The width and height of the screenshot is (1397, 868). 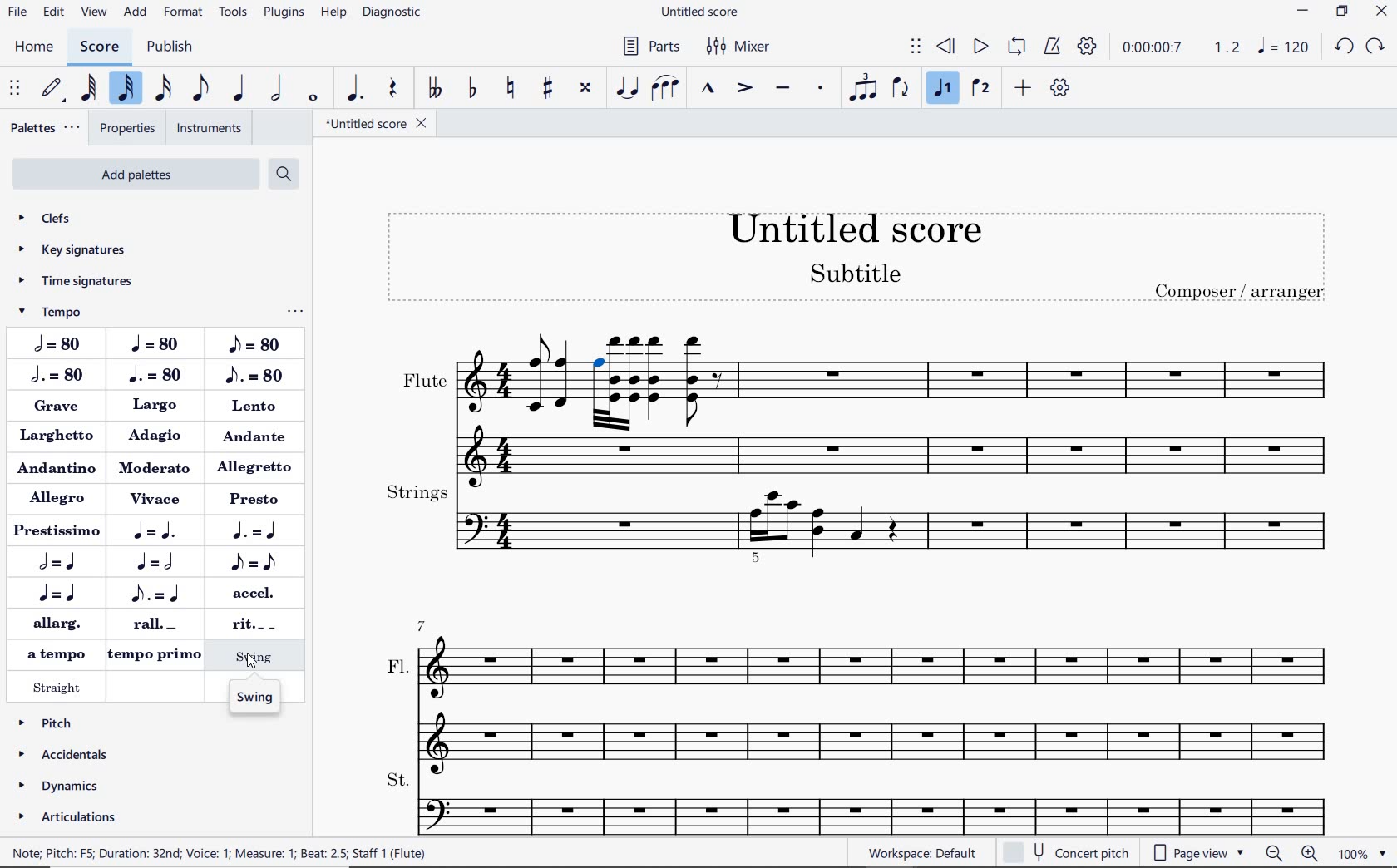 I want to click on METRIC MODULATION: QUARTER NOTE: DOTTED, so click(x=159, y=534).